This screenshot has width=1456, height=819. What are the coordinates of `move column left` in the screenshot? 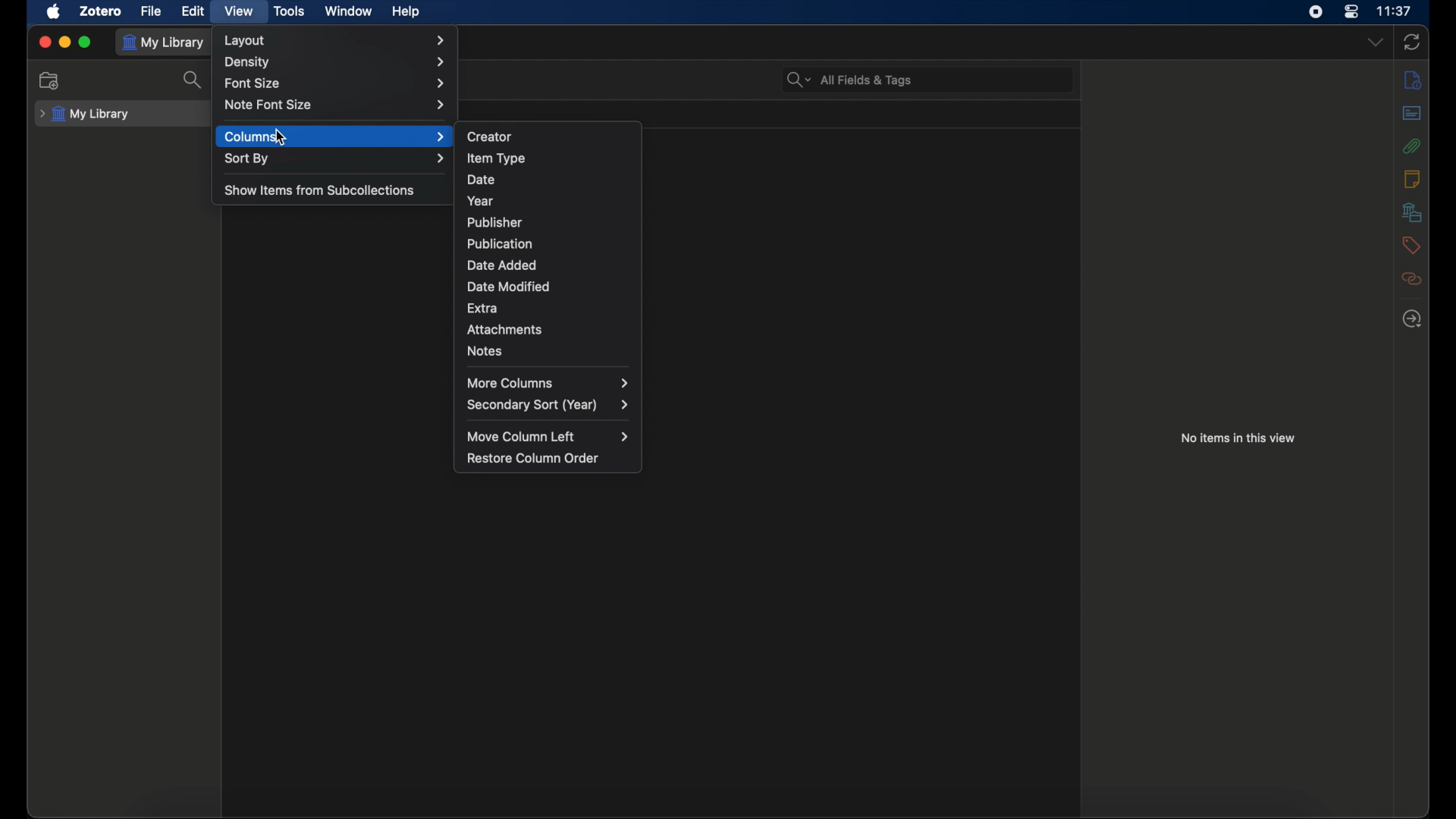 It's located at (551, 436).